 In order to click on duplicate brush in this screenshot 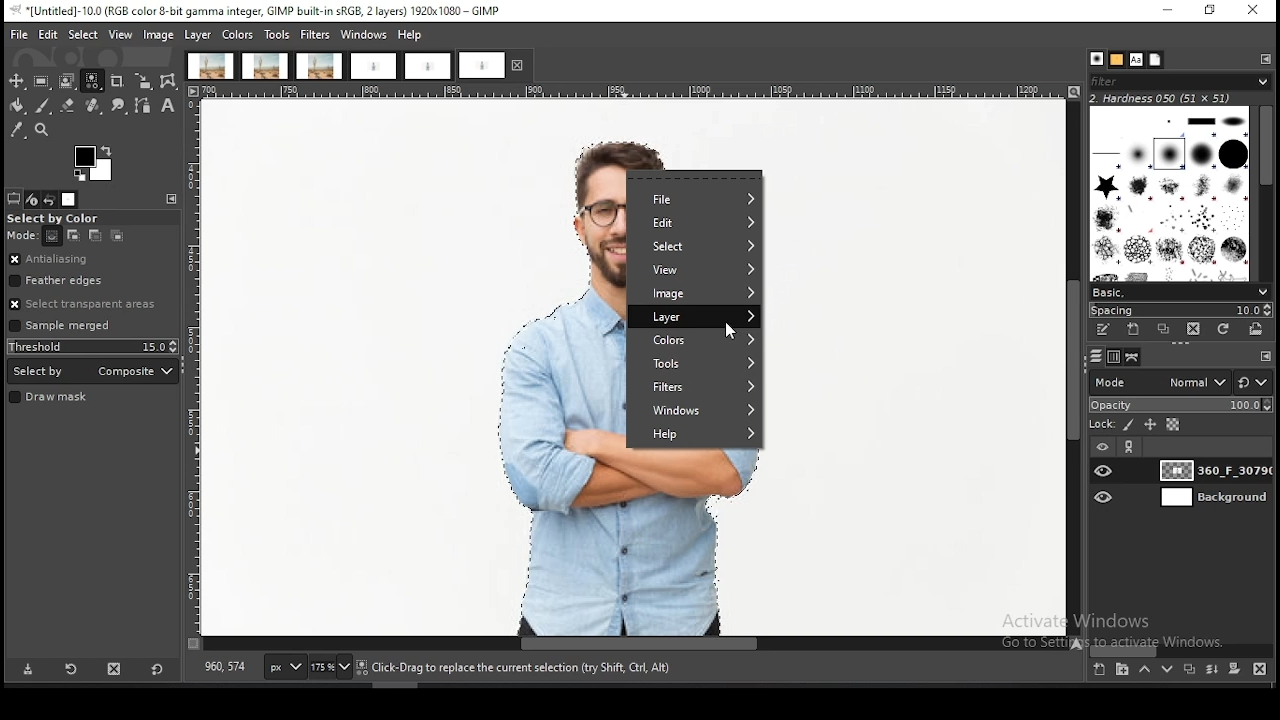, I will do `click(1165, 331)`.